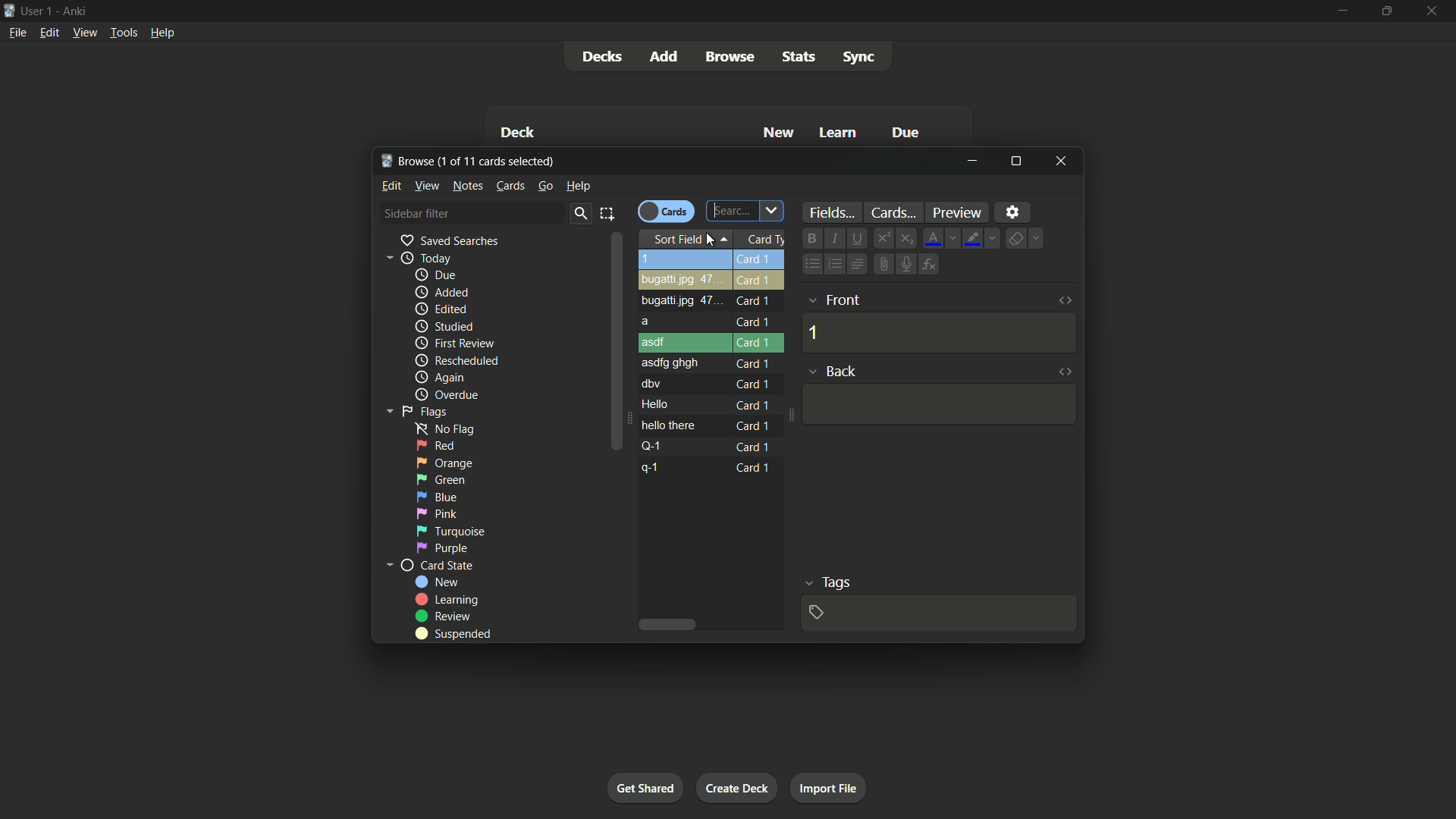 The image size is (1456, 819). What do you see at coordinates (651, 469) in the screenshot?
I see `q-1` at bounding box center [651, 469].